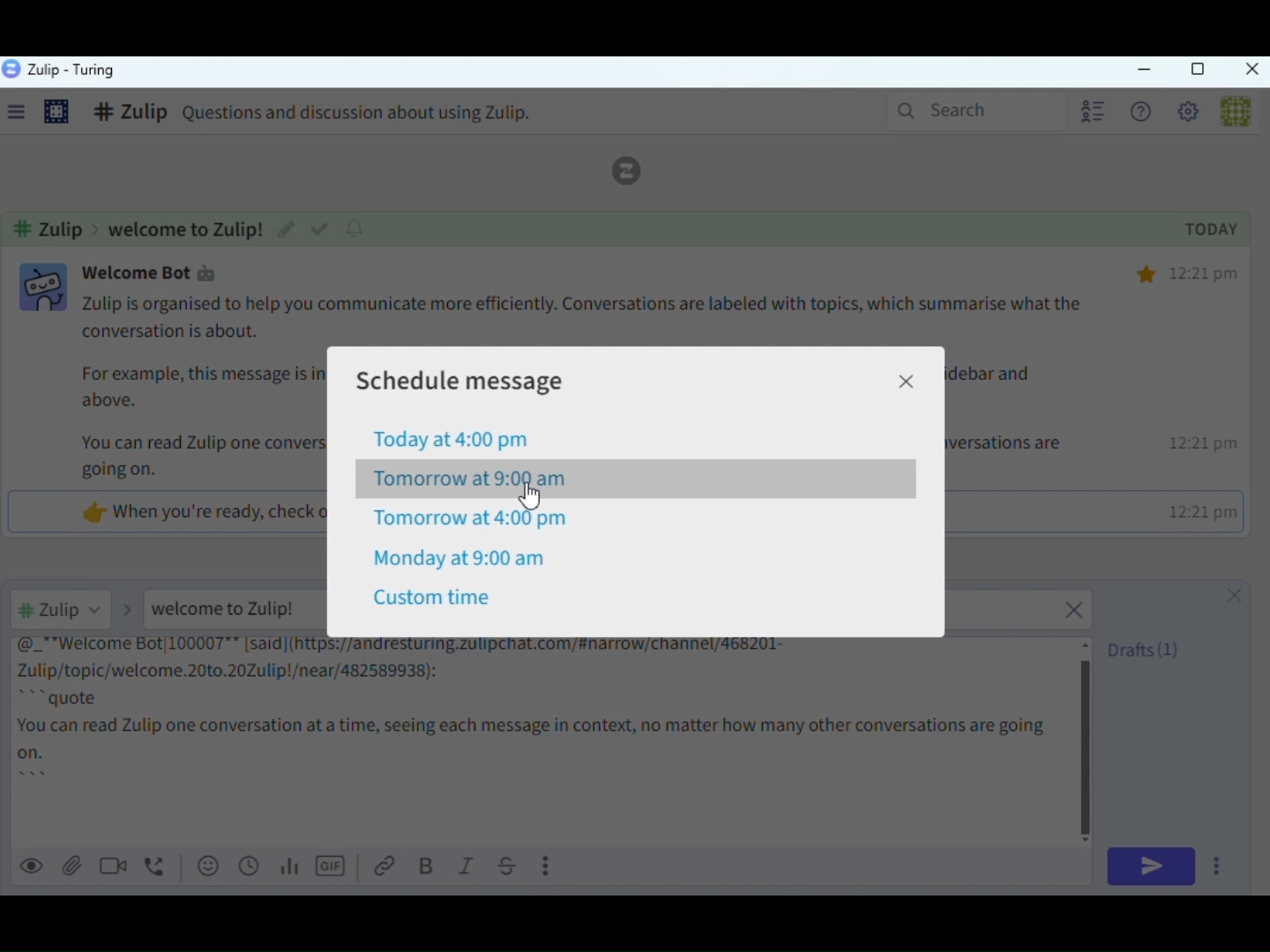 The width and height of the screenshot is (1270, 952). Describe the element at coordinates (509, 866) in the screenshot. I see `Underline` at that location.